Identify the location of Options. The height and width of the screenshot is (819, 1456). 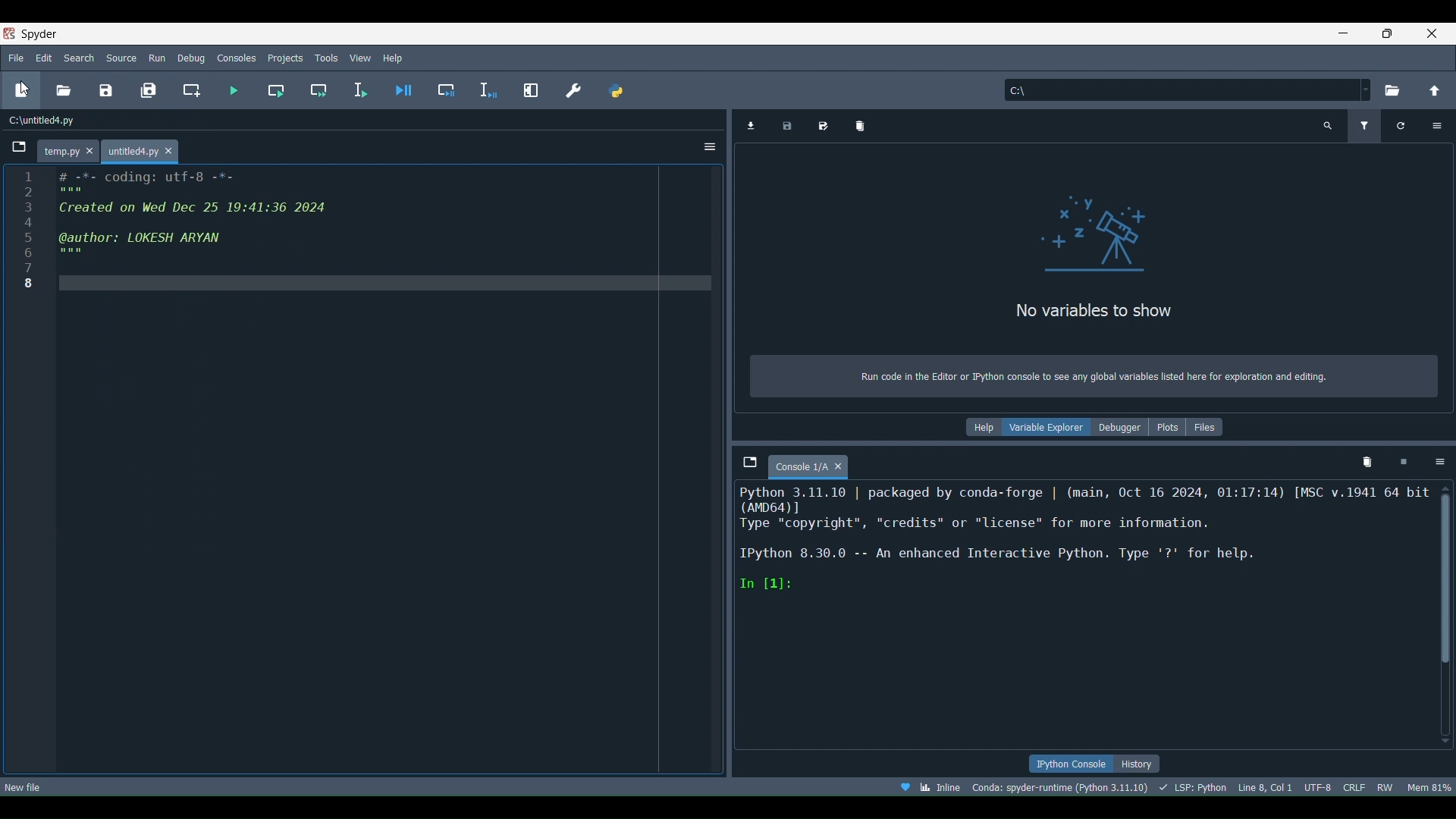
(1441, 125).